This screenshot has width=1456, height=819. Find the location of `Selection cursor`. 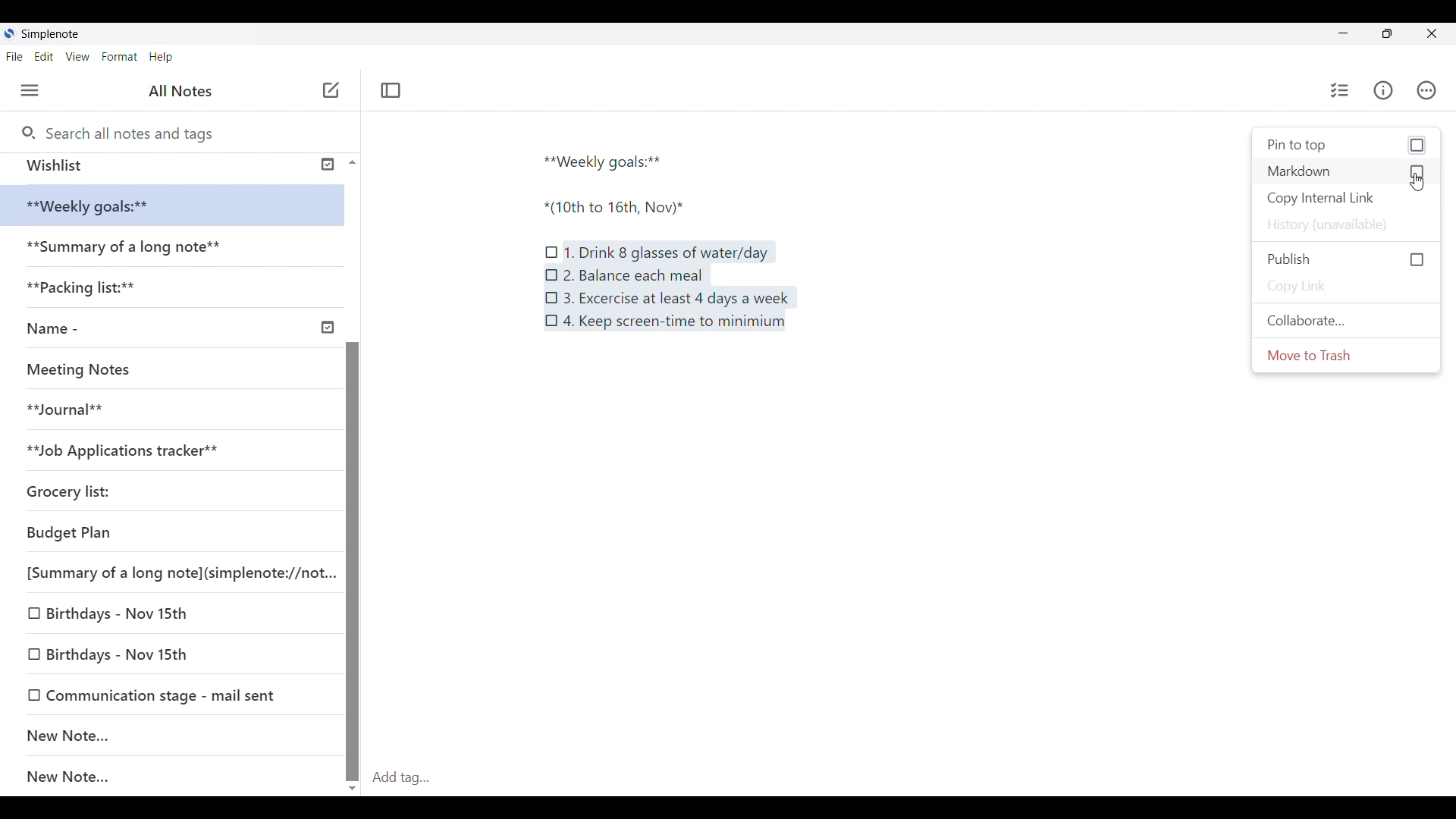

Selection cursor is located at coordinates (1420, 180).